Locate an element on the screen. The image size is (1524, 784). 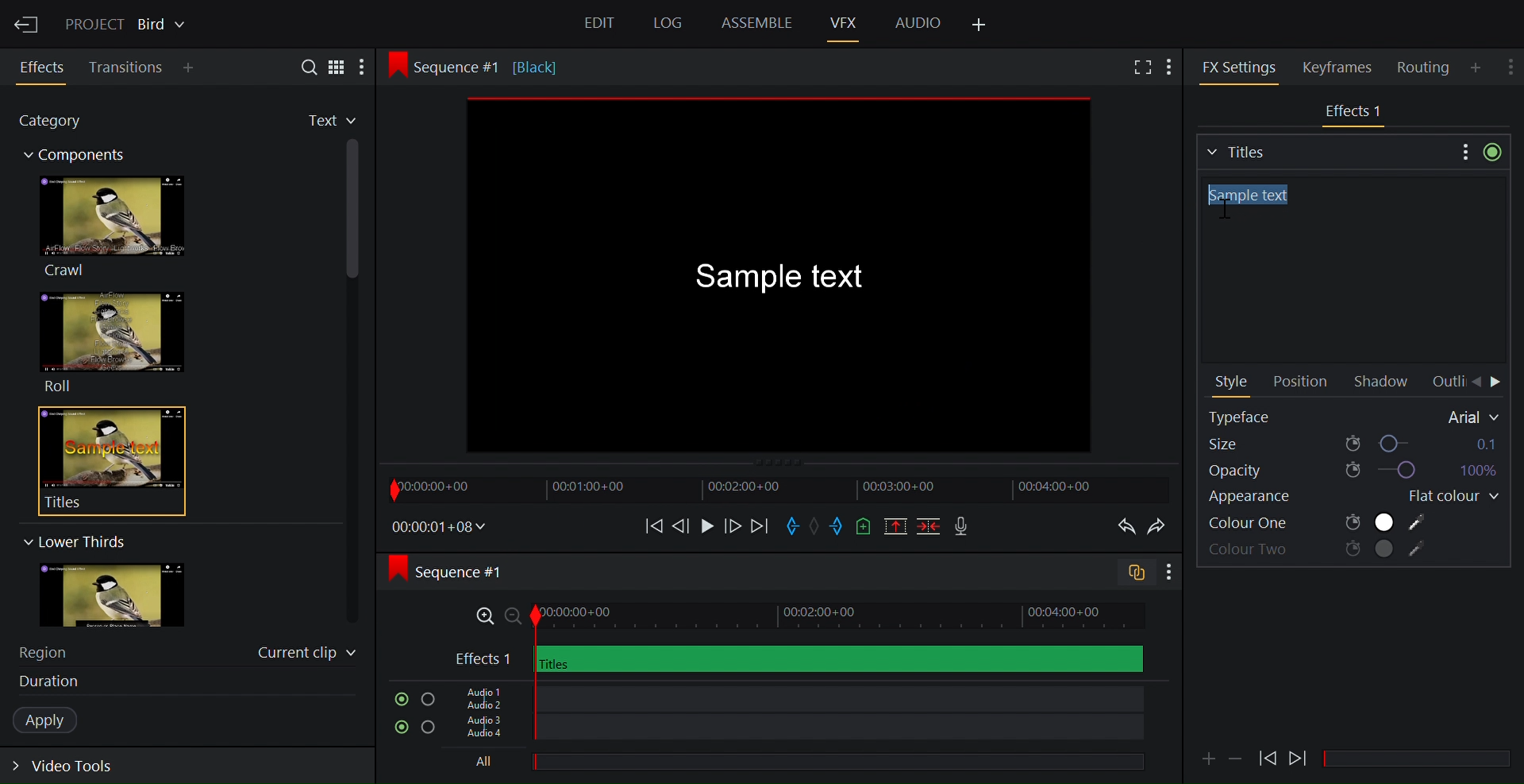
Apply is located at coordinates (53, 721).